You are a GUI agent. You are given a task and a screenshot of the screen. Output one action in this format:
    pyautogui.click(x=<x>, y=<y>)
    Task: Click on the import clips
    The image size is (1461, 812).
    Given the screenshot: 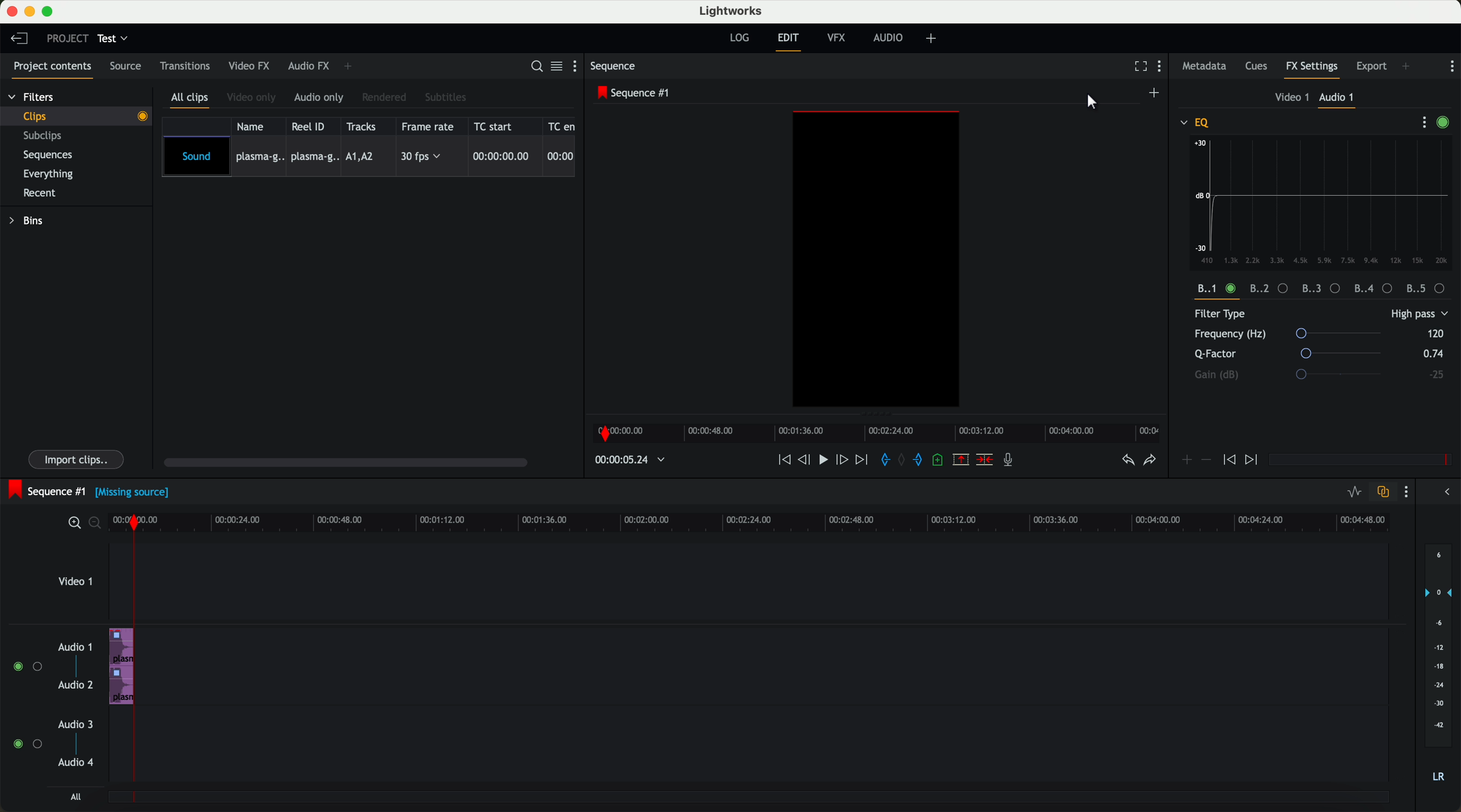 What is the action you would take?
    pyautogui.click(x=78, y=458)
    